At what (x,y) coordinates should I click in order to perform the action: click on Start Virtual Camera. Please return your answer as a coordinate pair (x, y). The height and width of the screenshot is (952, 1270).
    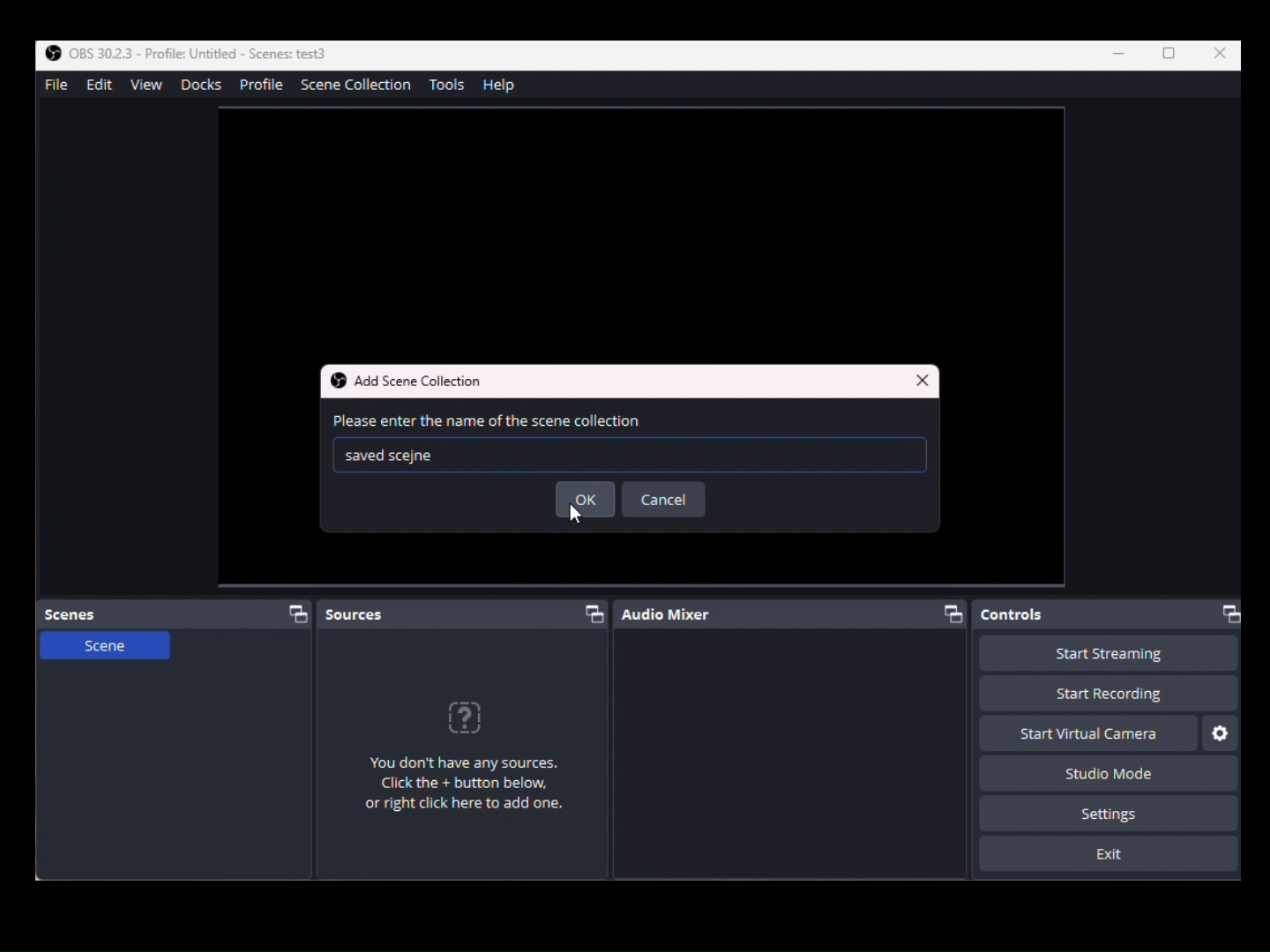
    Looking at the image, I should click on (1088, 733).